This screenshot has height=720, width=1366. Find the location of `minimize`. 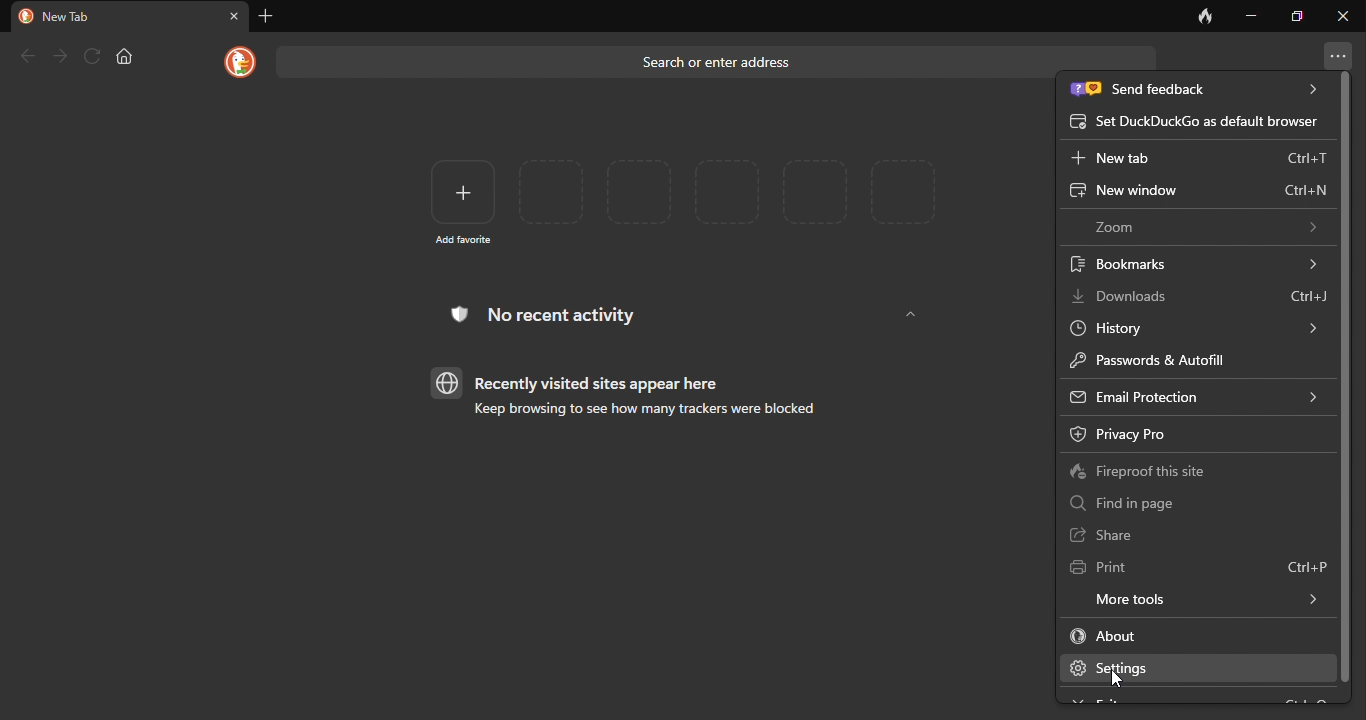

minimize is located at coordinates (1252, 14).